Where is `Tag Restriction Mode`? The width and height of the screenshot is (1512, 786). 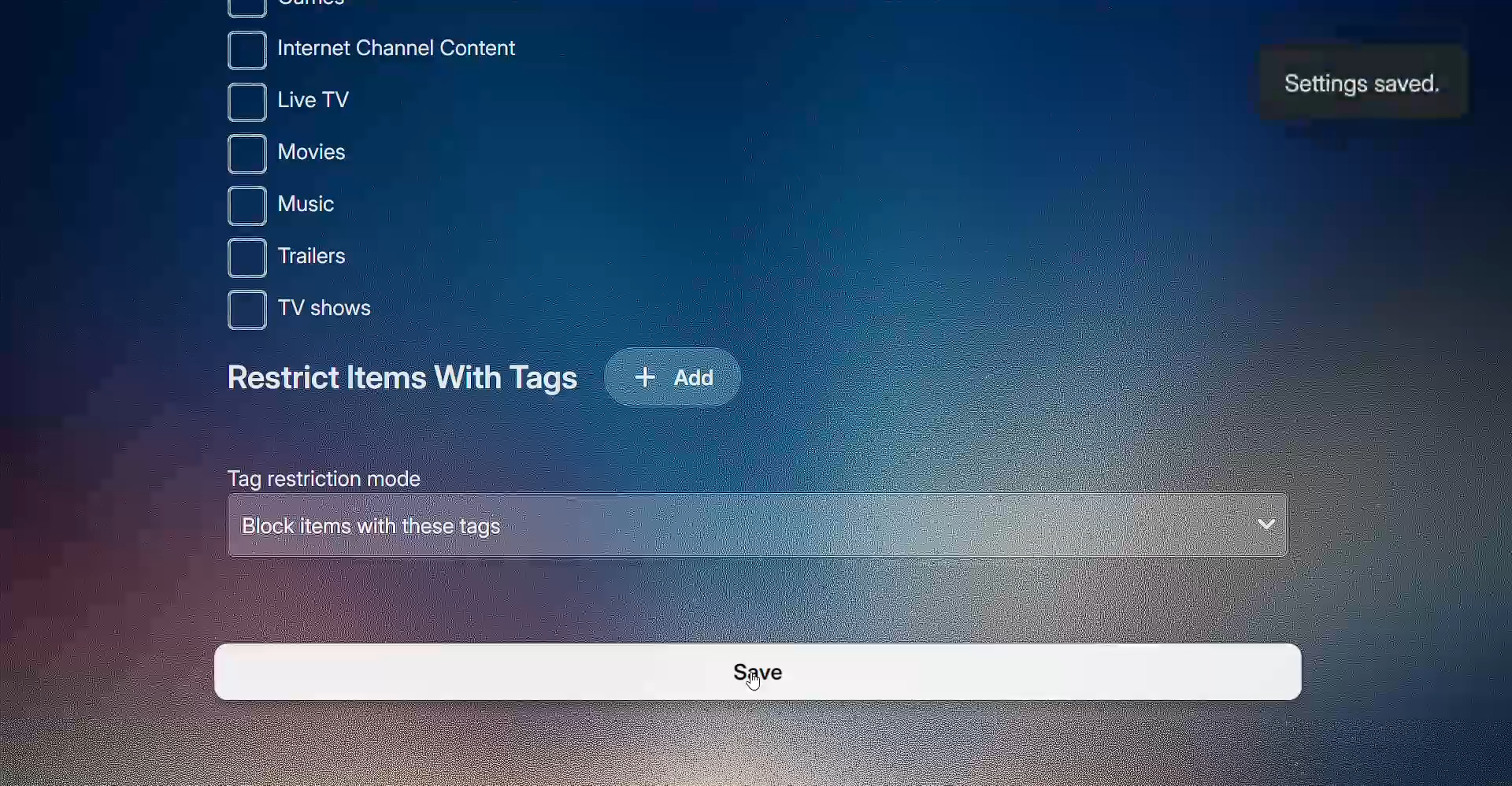
Tag Restriction Mode is located at coordinates (317, 476).